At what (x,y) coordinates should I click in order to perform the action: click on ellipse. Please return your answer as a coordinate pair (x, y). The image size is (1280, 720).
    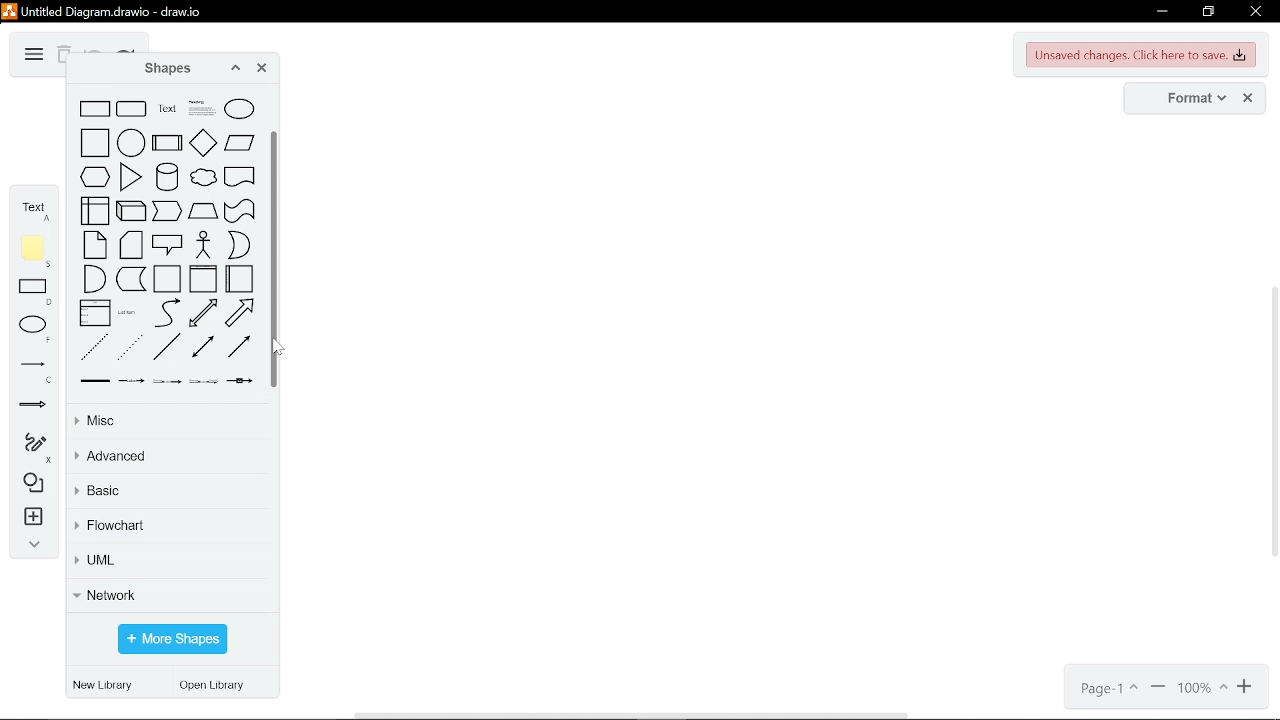
    Looking at the image, I should click on (36, 329).